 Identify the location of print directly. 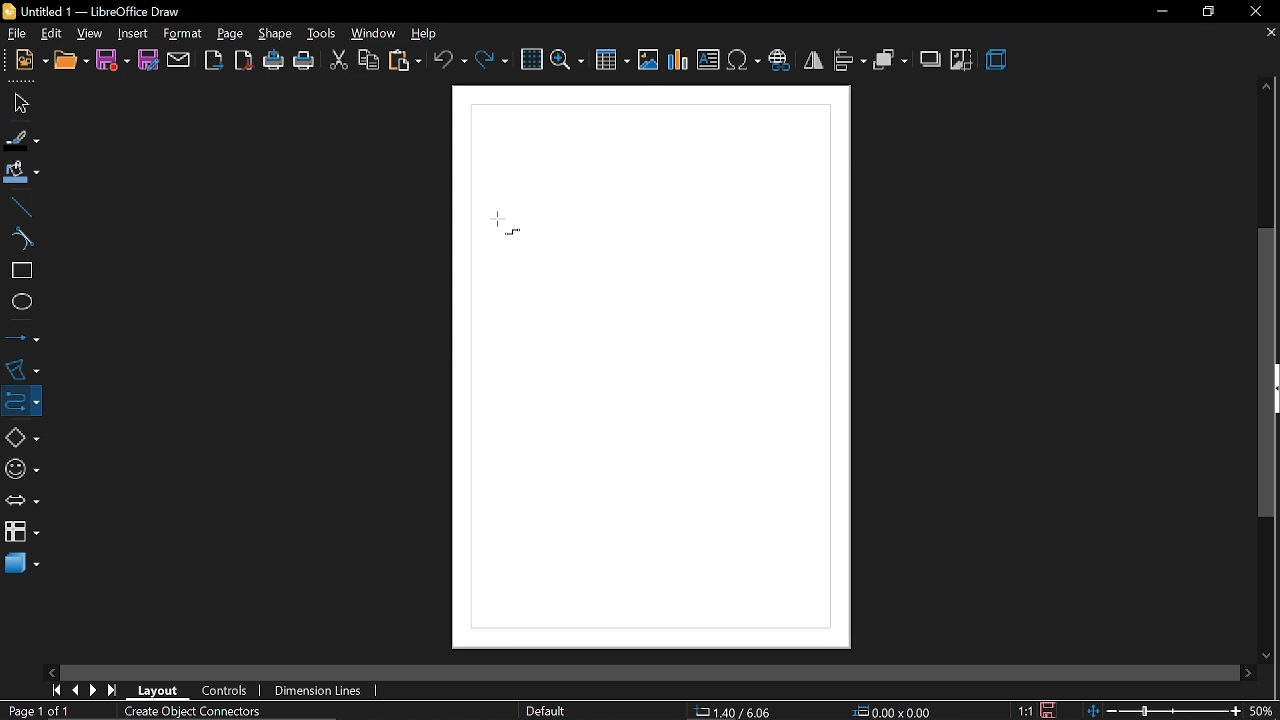
(274, 62).